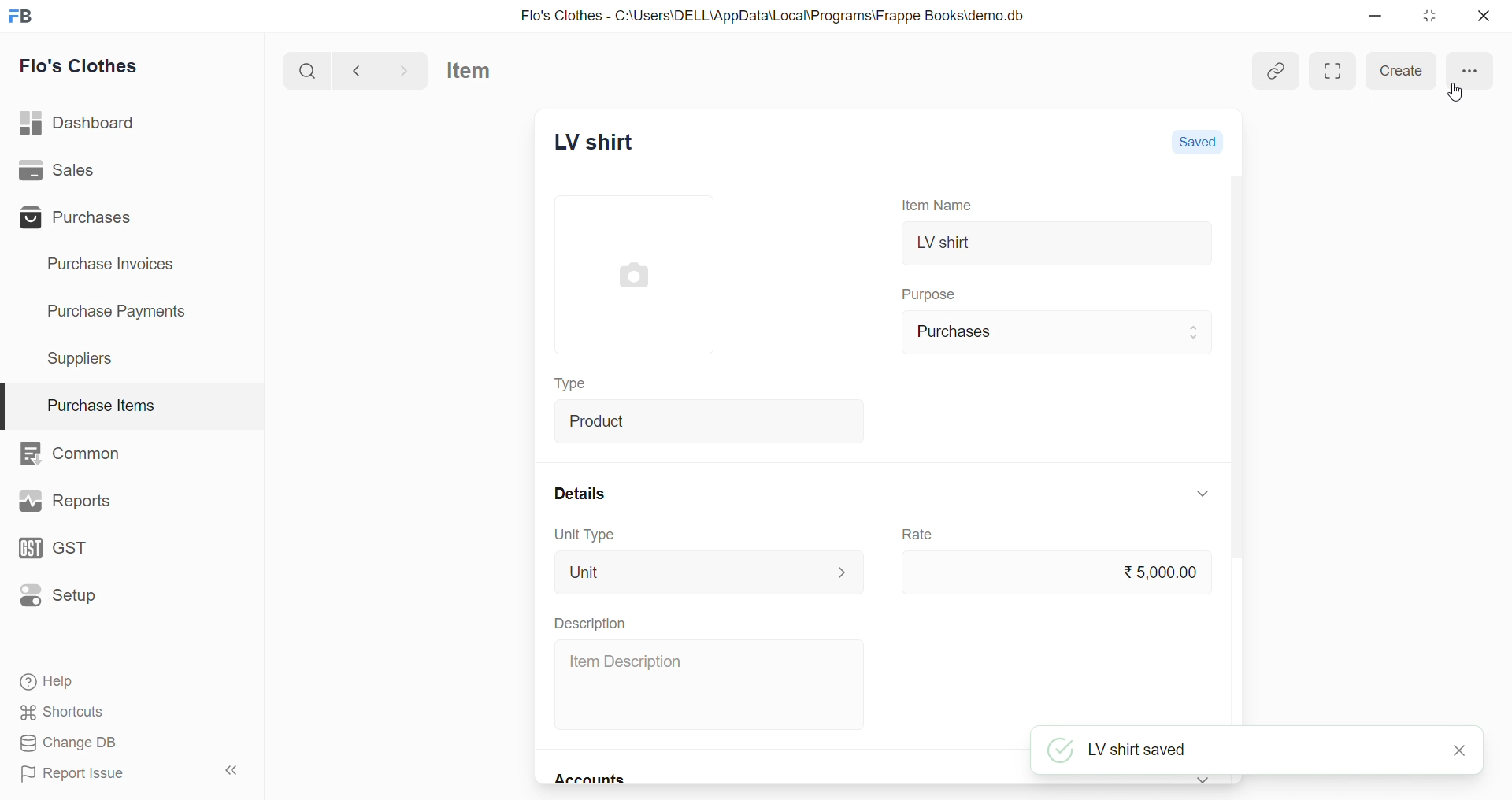 The height and width of the screenshot is (800, 1512). I want to click on Flo's Clothes, so click(88, 66).